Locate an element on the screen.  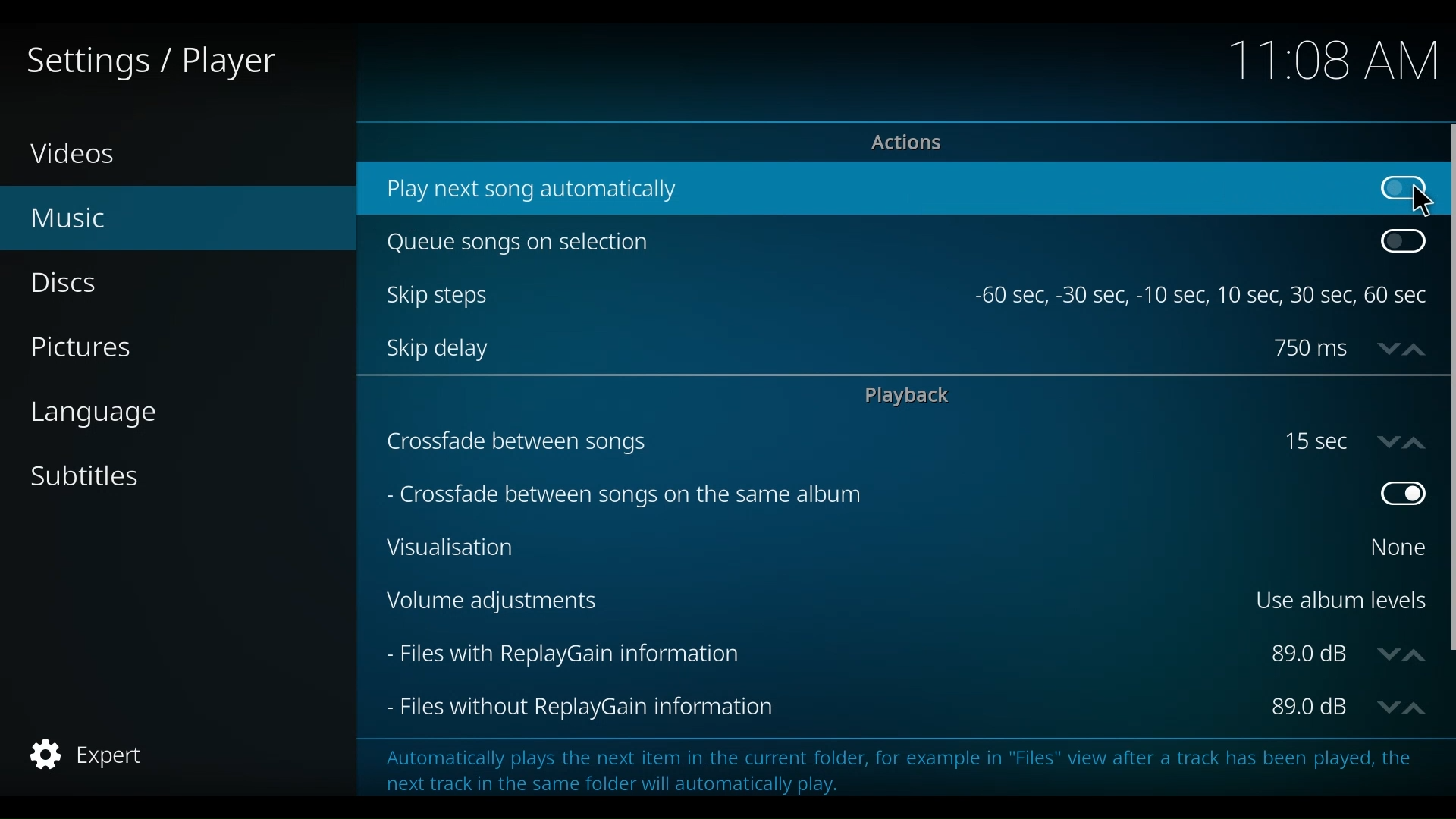
Cursor is located at coordinates (1420, 202).